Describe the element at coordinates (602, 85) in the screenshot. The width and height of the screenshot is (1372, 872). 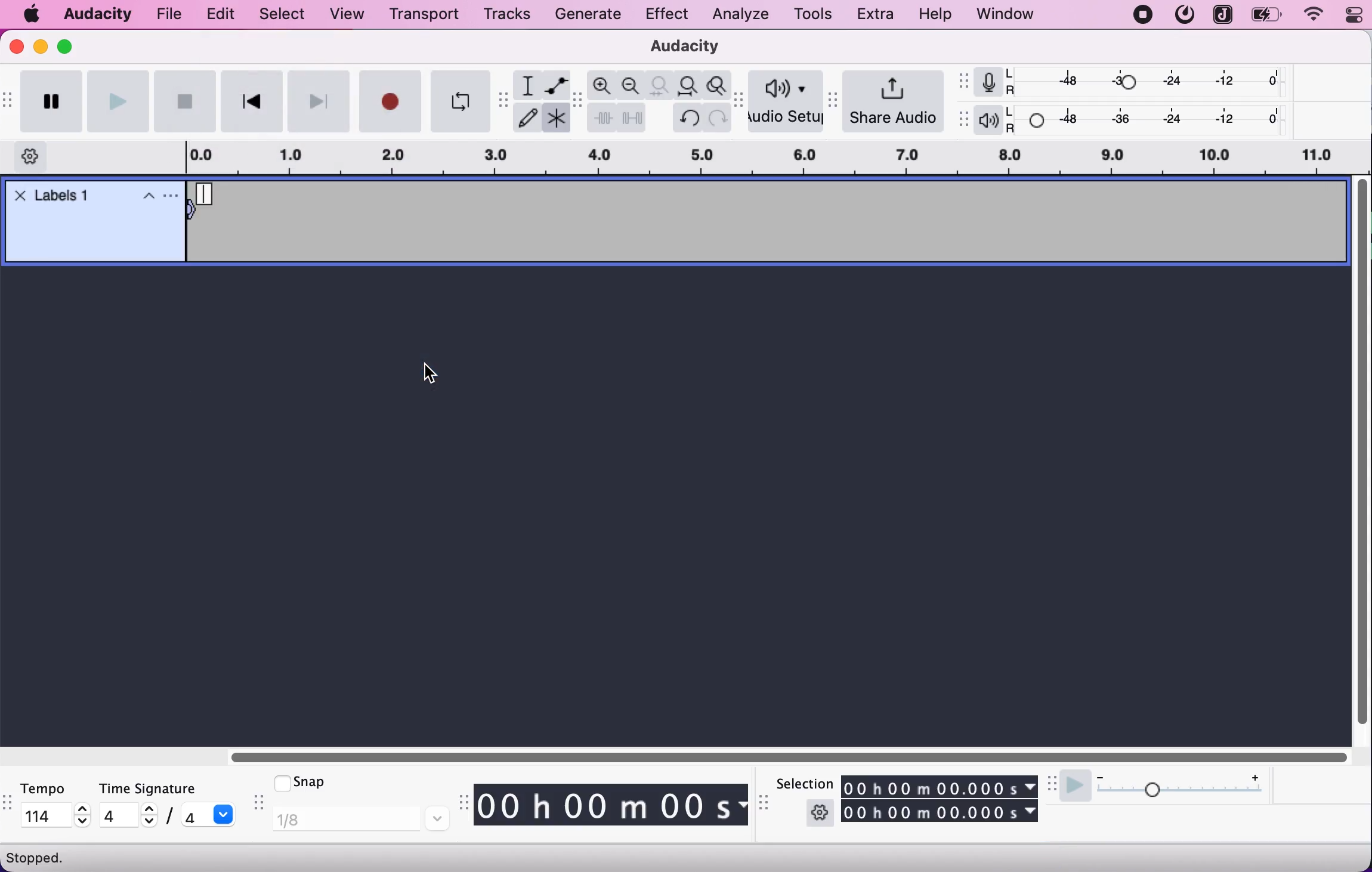
I see `zoom in` at that location.